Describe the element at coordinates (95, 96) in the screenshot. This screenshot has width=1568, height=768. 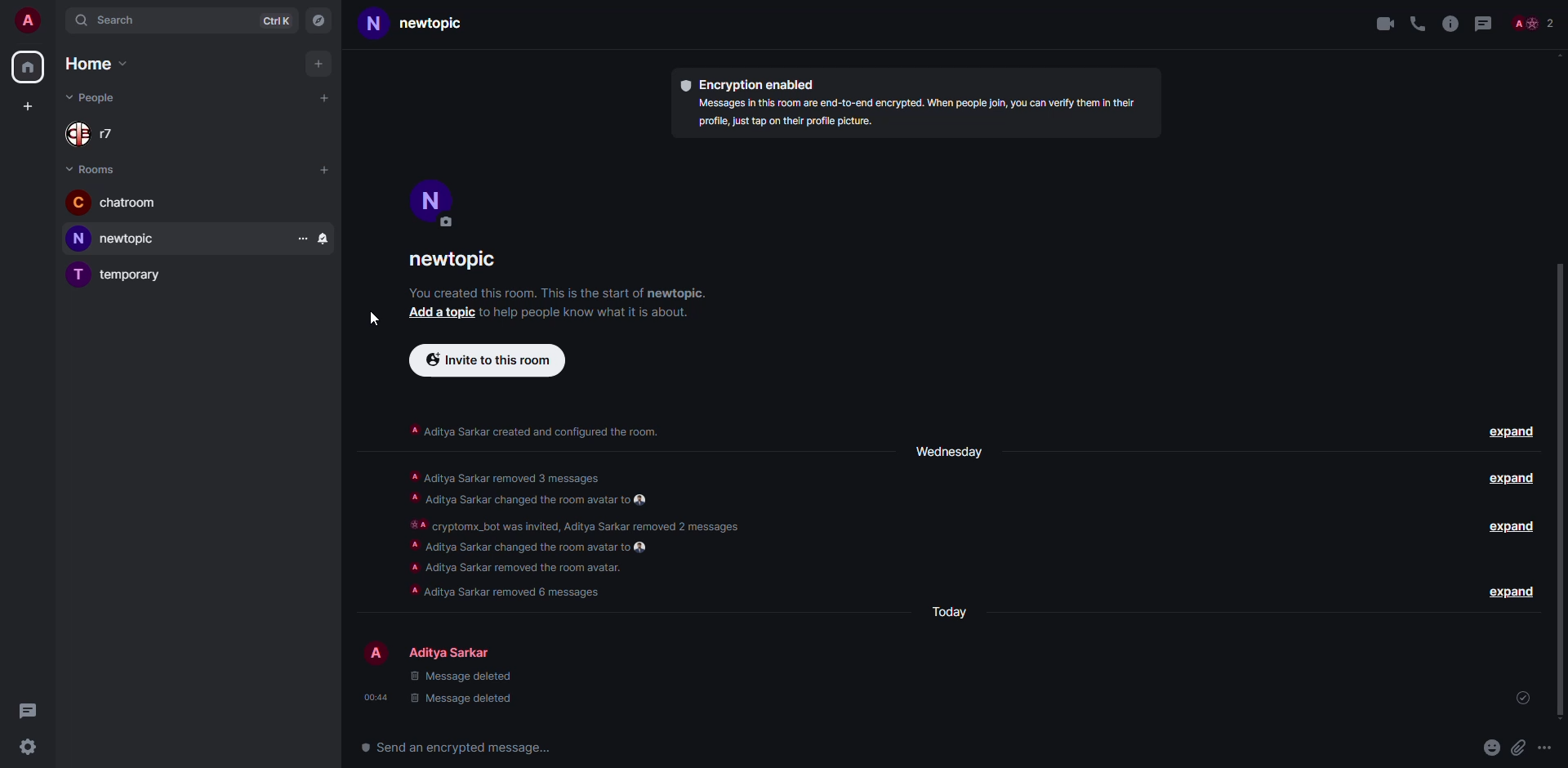
I see `people` at that location.